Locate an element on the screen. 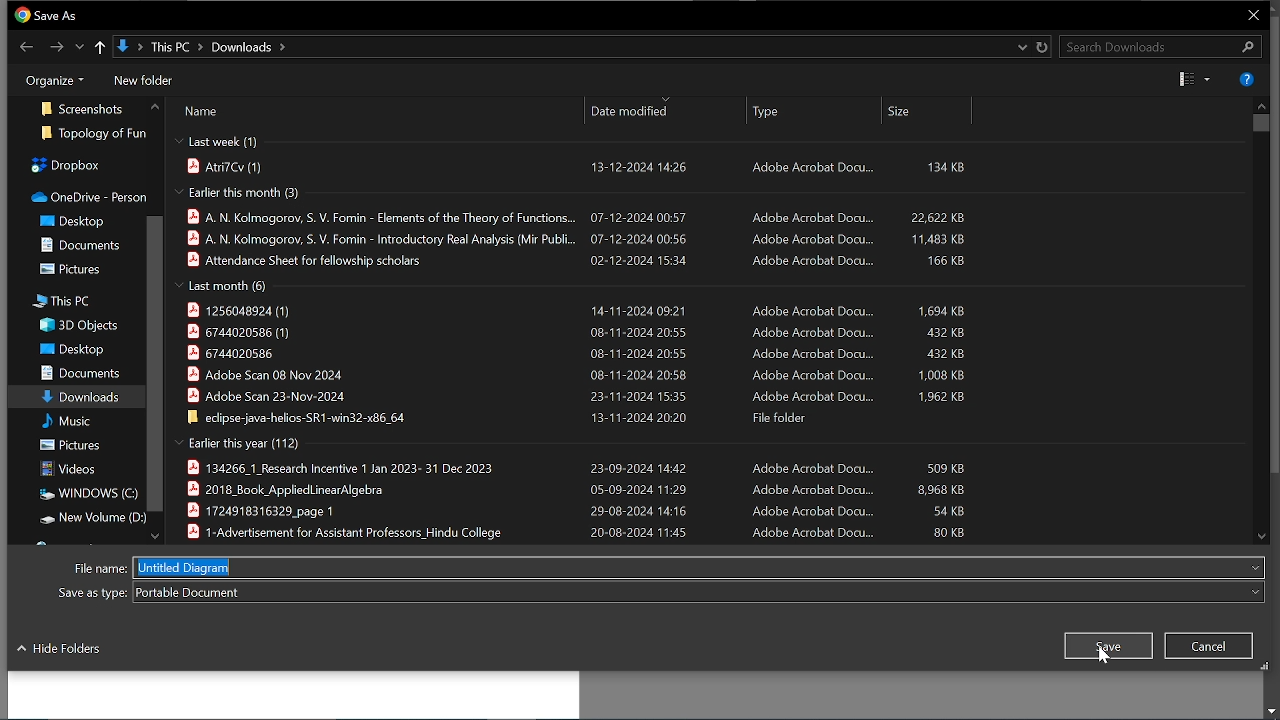 The image size is (1280, 720). Adobe Acrobat Docu... is located at coordinates (811, 241).